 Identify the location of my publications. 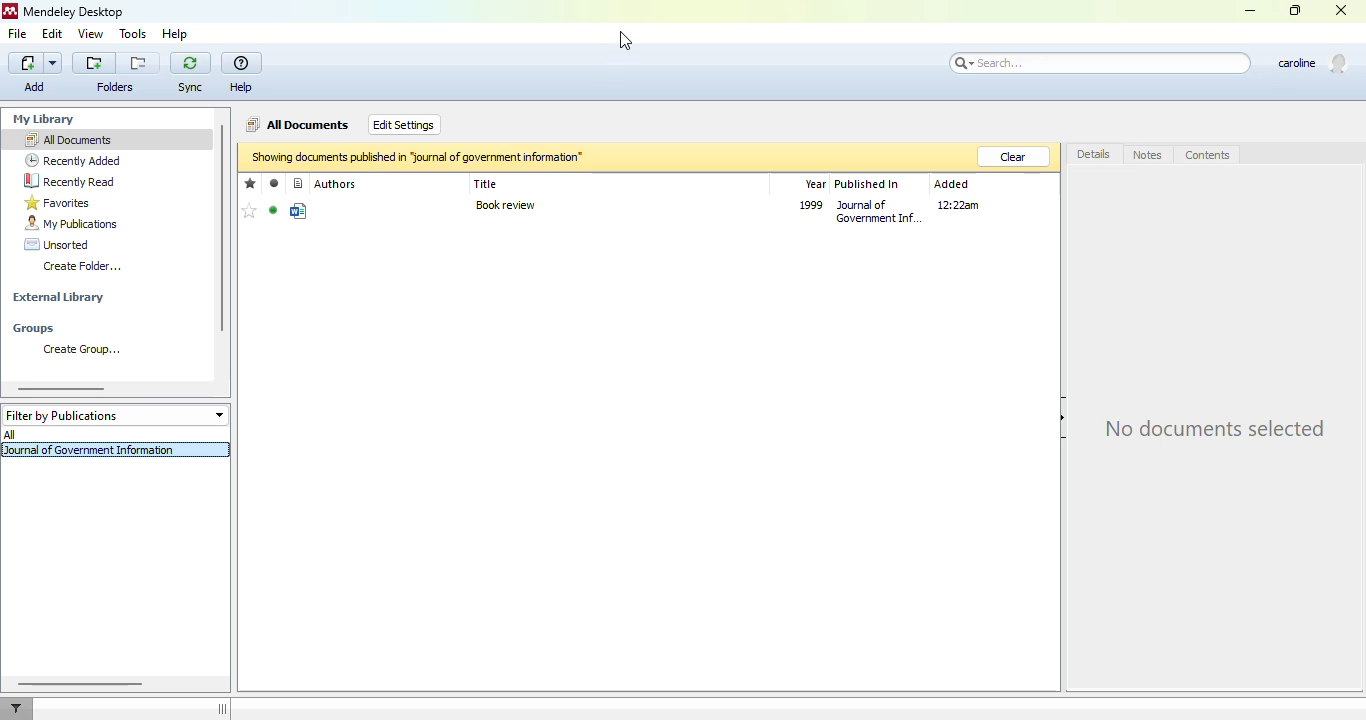
(71, 223).